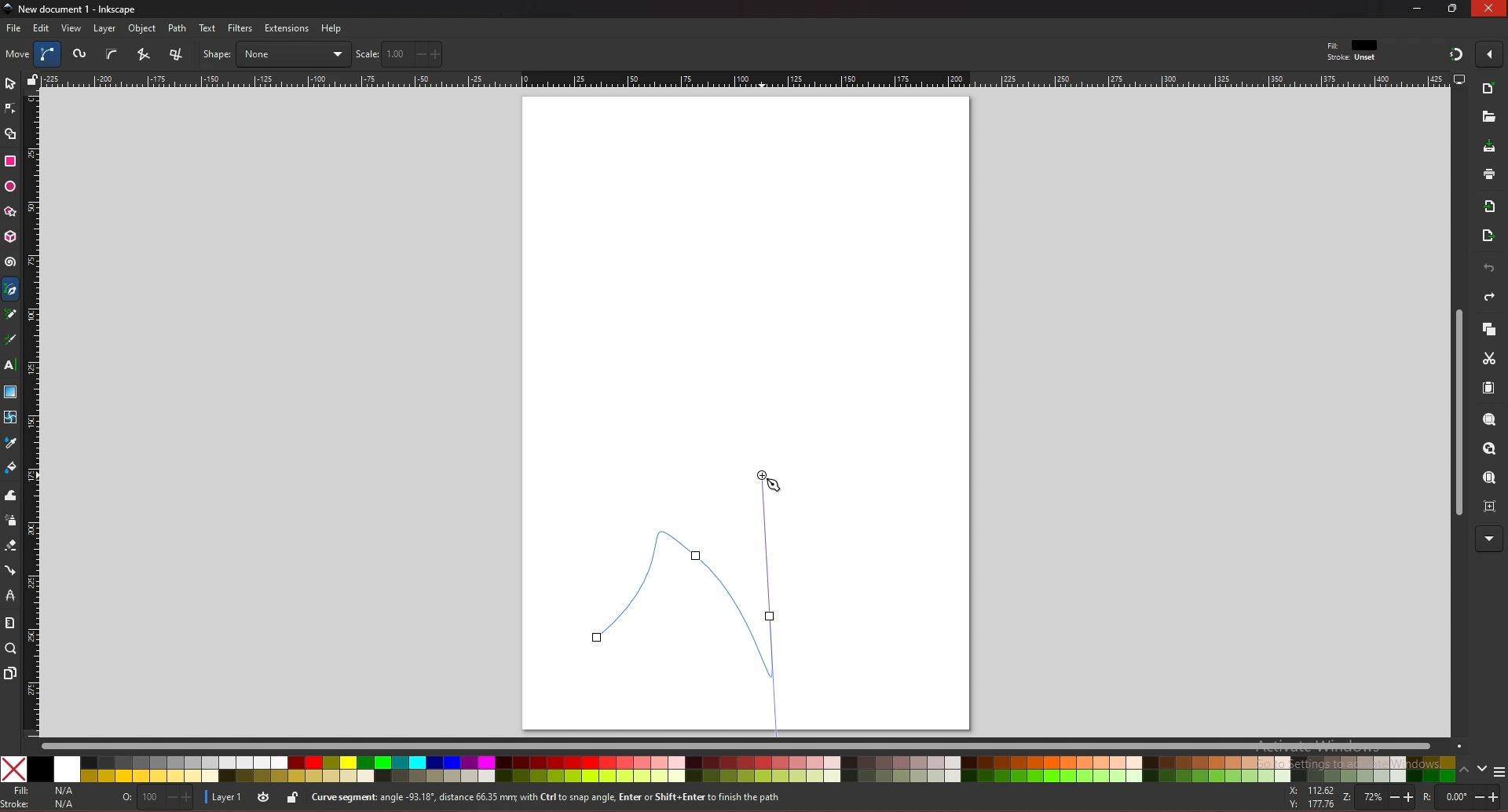  What do you see at coordinates (11, 648) in the screenshot?
I see `zoom` at bounding box center [11, 648].